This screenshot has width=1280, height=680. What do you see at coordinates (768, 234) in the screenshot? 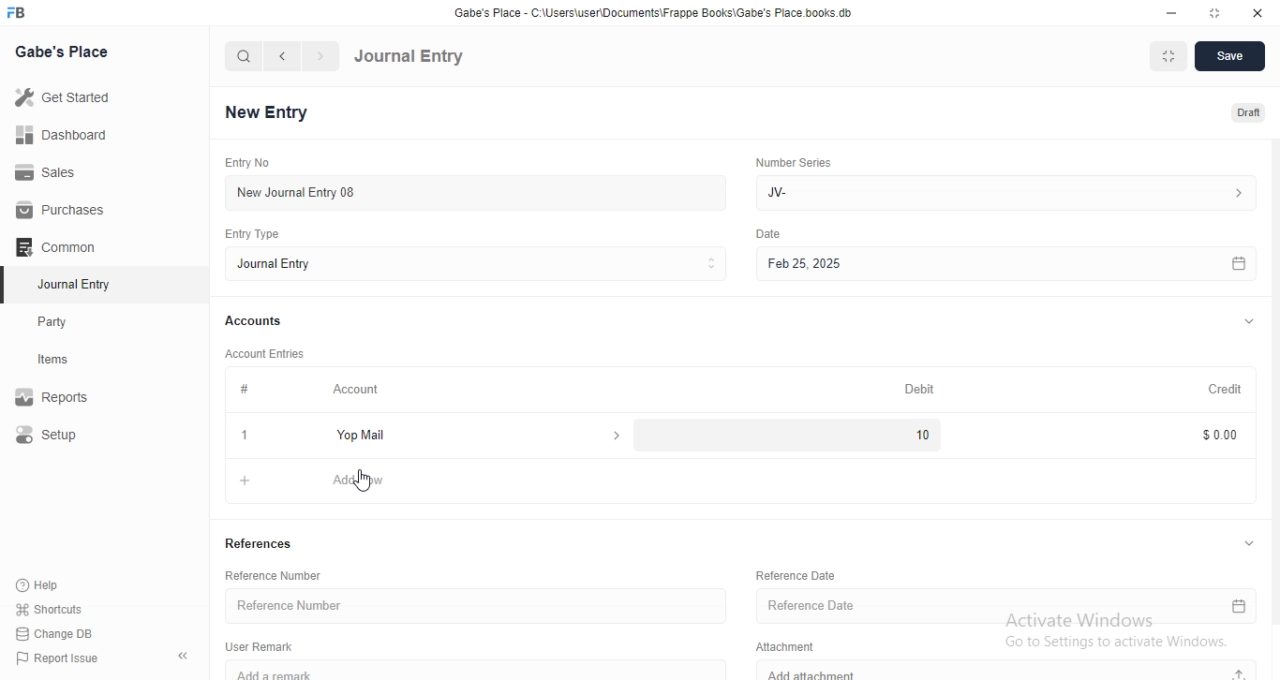
I see `` at bounding box center [768, 234].